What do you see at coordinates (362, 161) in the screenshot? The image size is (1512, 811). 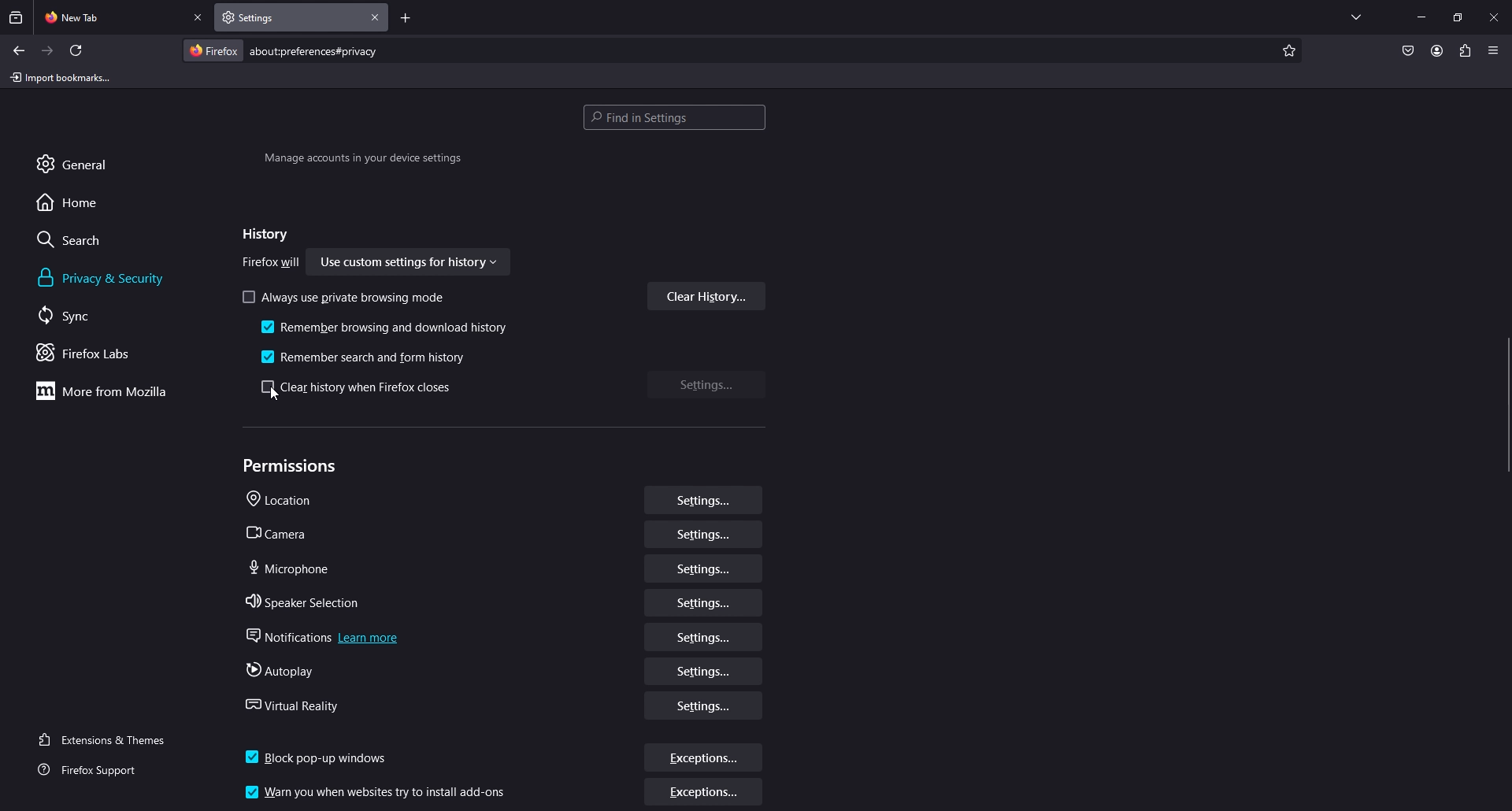 I see `Manage accounts in your device settings` at bounding box center [362, 161].